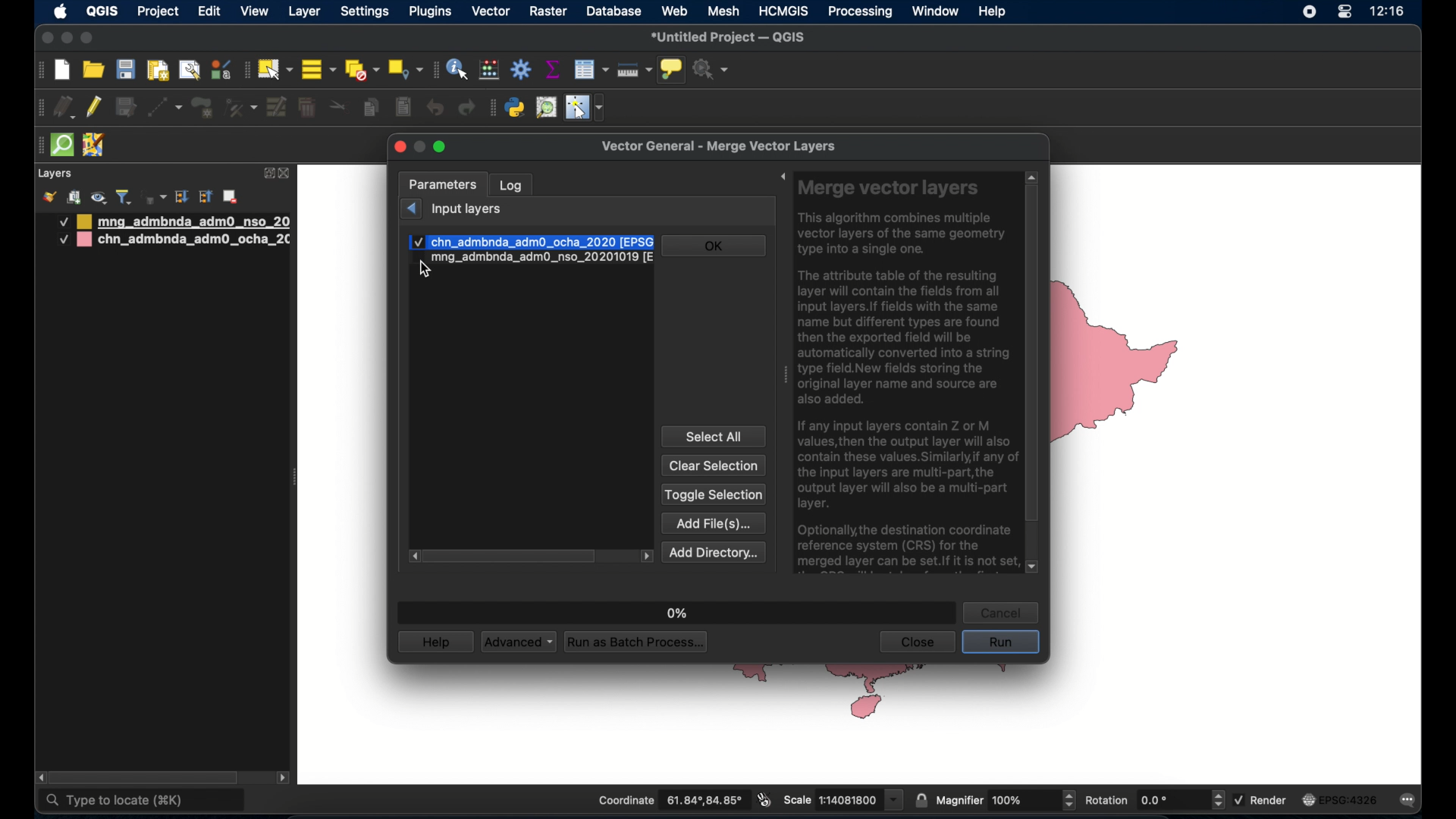 This screenshot has height=819, width=1456. I want to click on copy features, so click(371, 109).